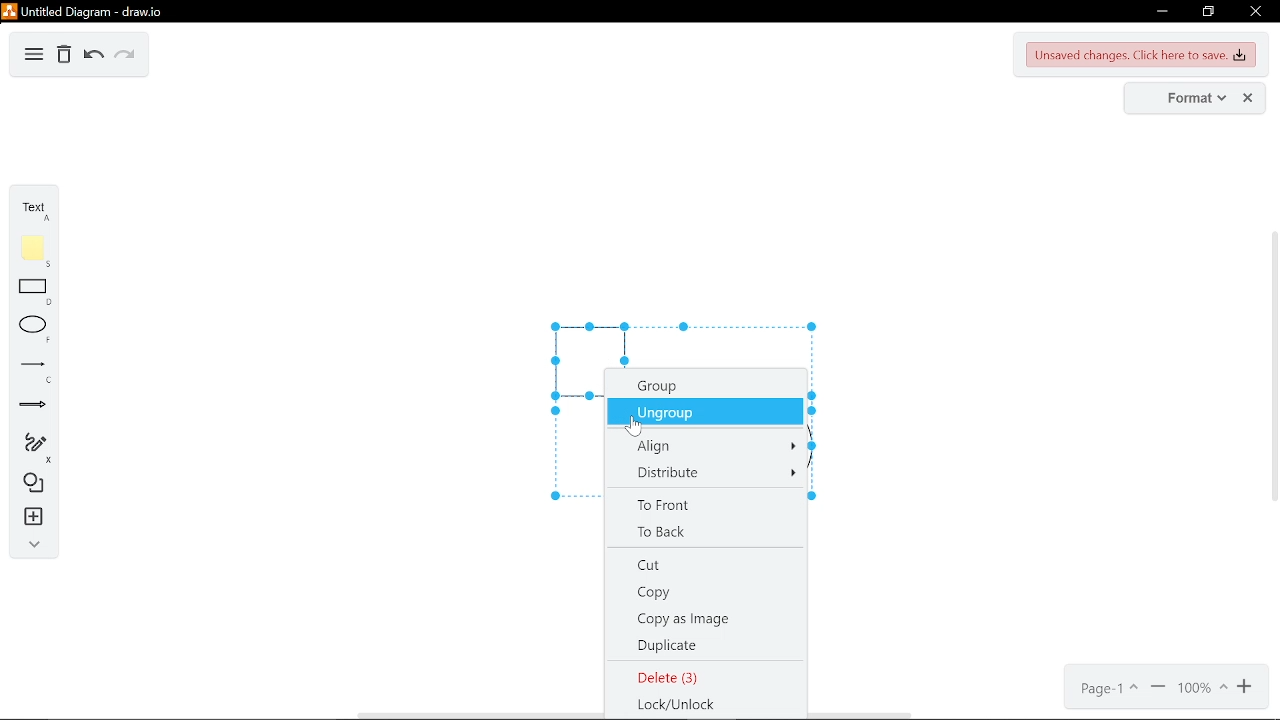 The width and height of the screenshot is (1280, 720). What do you see at coordinates (1139, 56) in the screenshot?
I see `unsaved changes. Click here to save` at bounding box center [1139, 56].